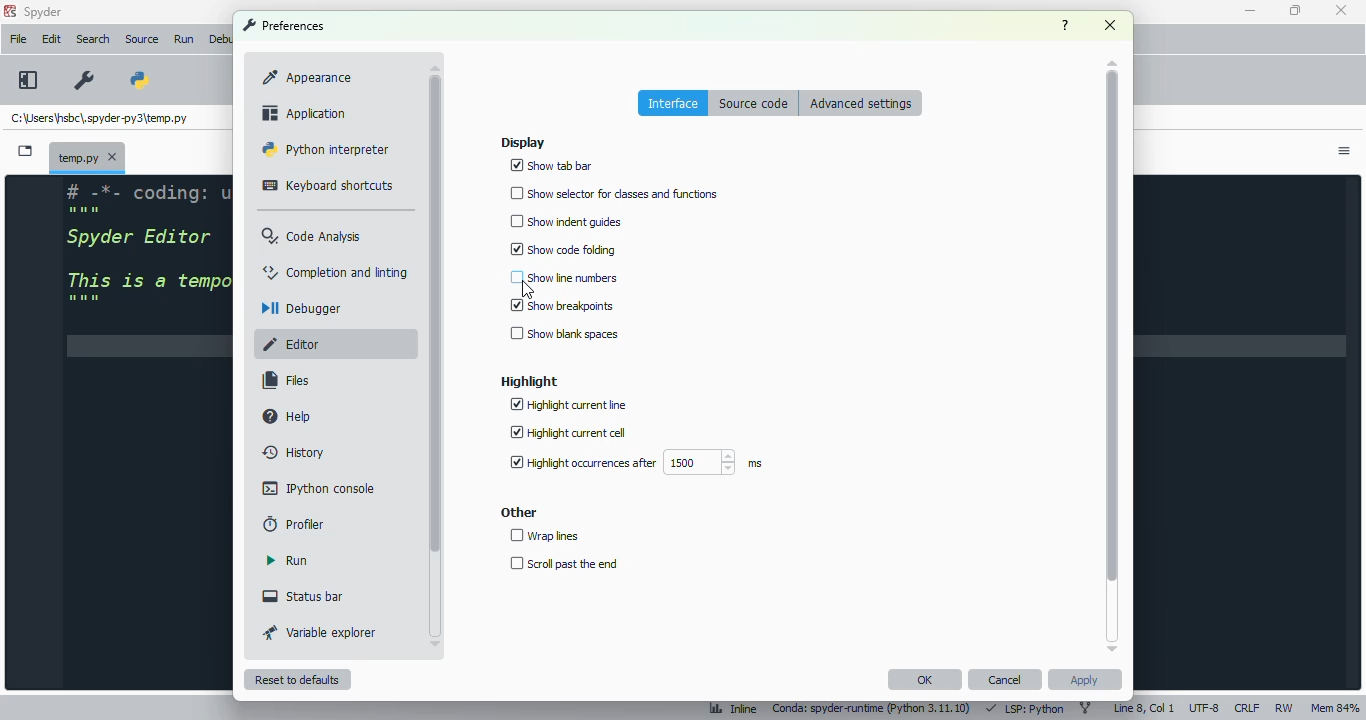 Image resolution: width=1366 pixels, height=720 pixels. What do you see at coordinates (563, 277) in the screenshot?
I see `show line numbers` at bounding box center [563, 277].